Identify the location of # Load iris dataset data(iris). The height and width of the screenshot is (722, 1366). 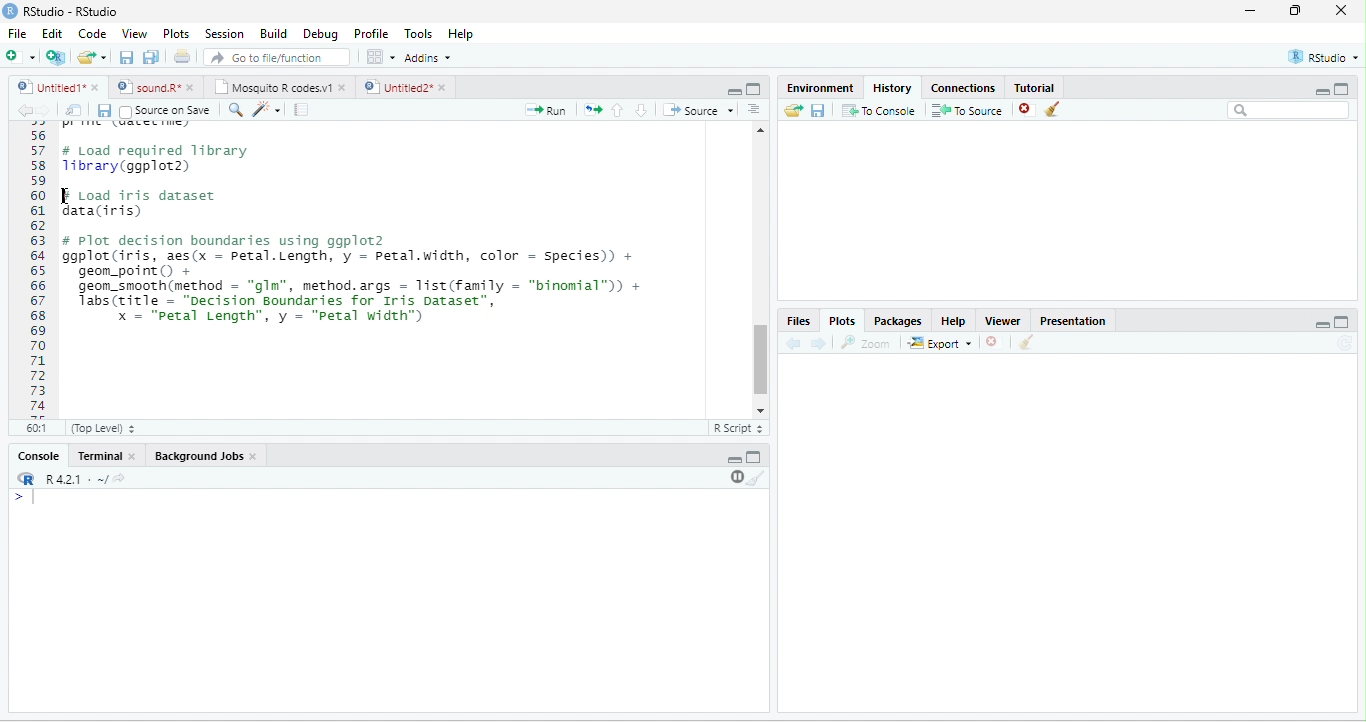
(145, 203).